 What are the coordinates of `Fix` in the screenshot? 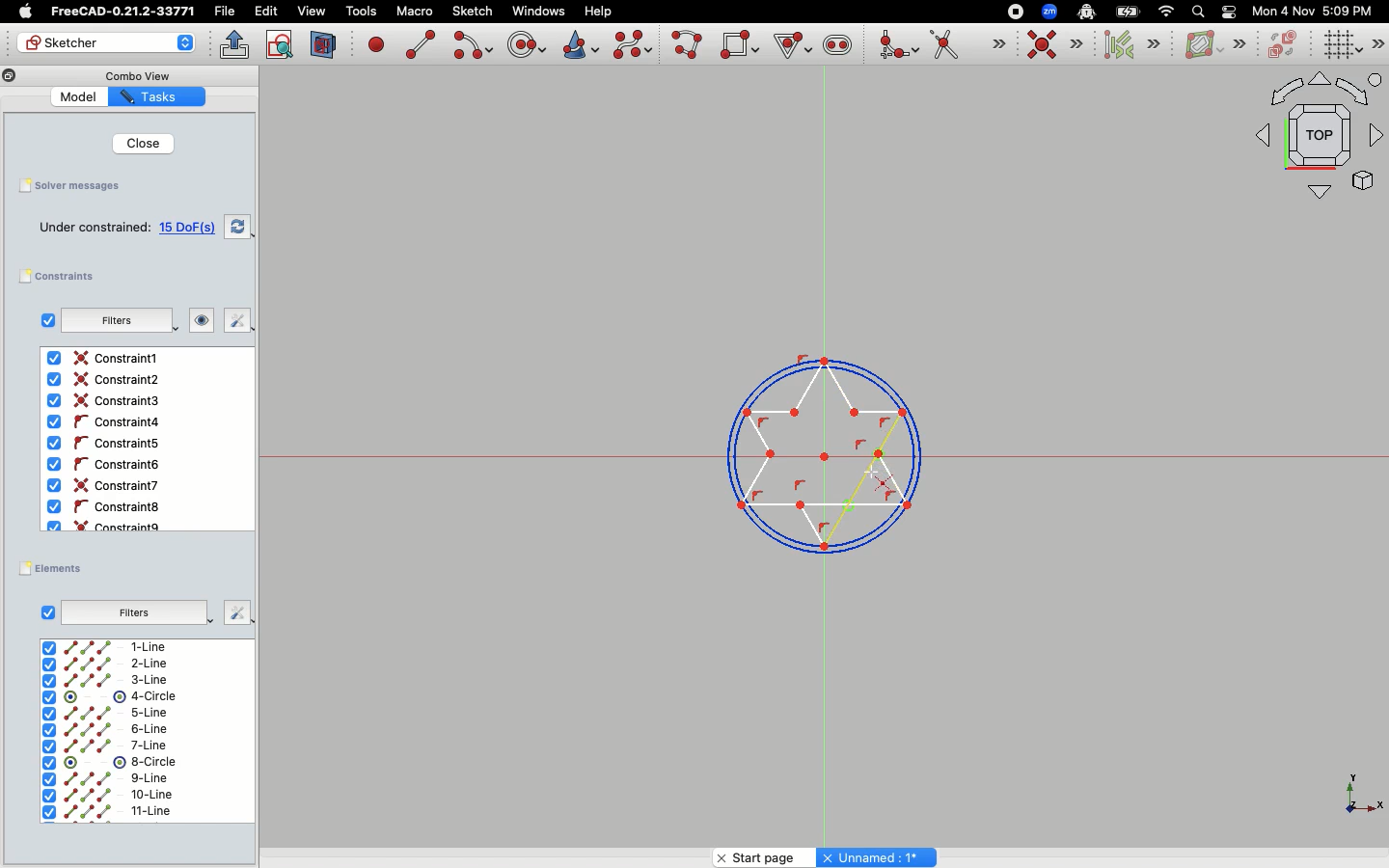 It's located at (231, 611).